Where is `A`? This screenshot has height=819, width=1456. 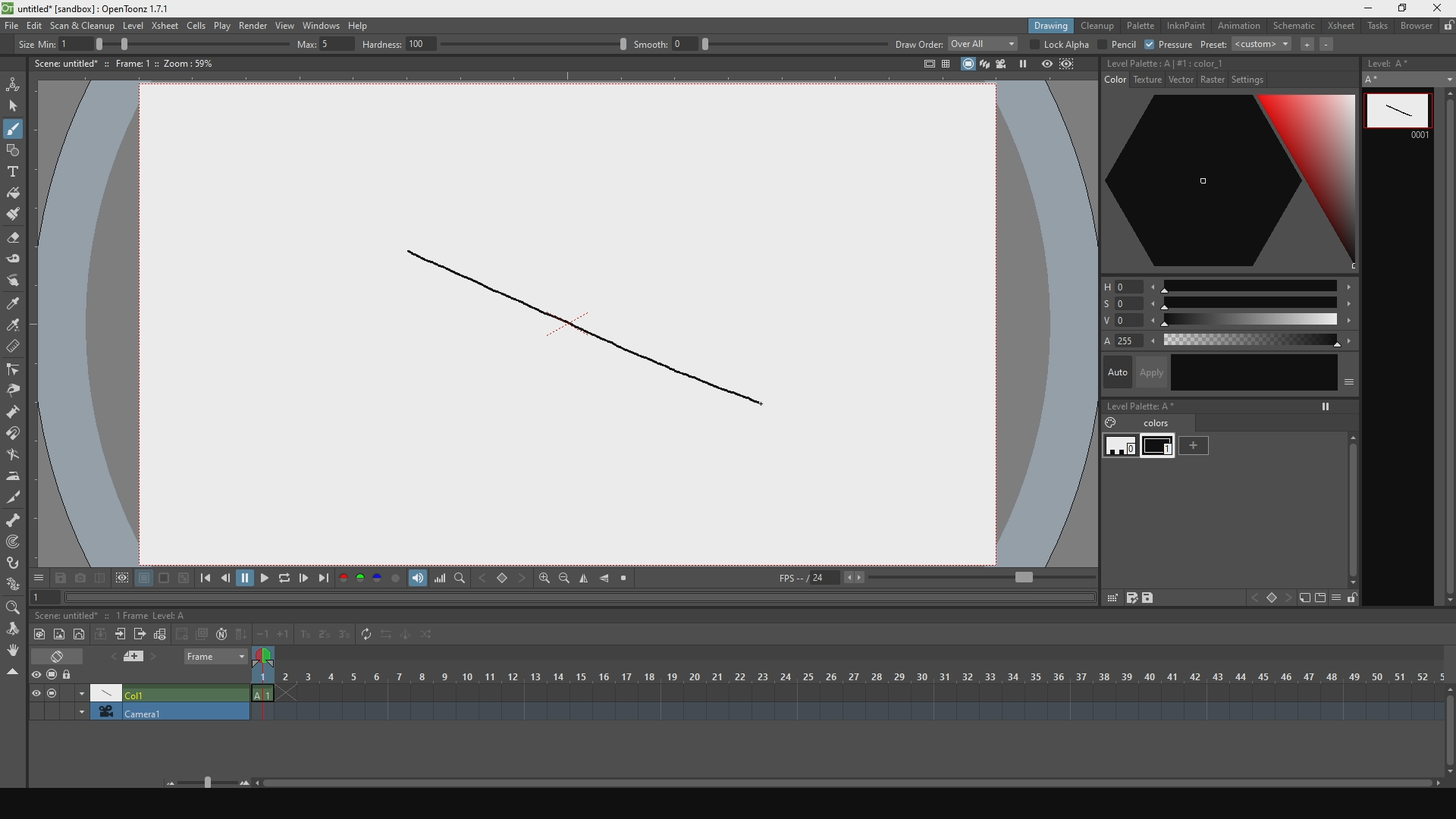
A is located at coordinates (1408, 80).